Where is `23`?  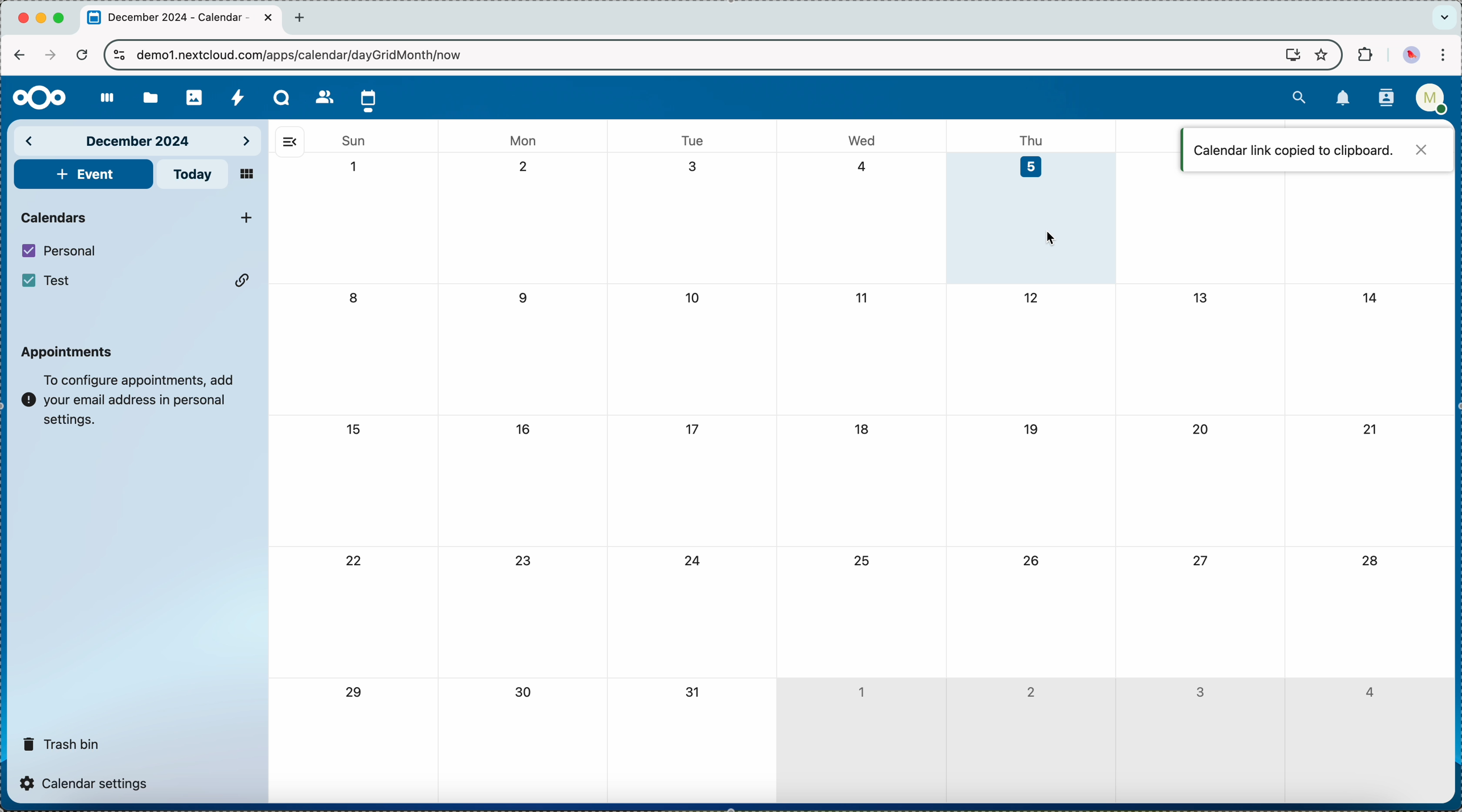
23 is located at coordinates (526, 560).